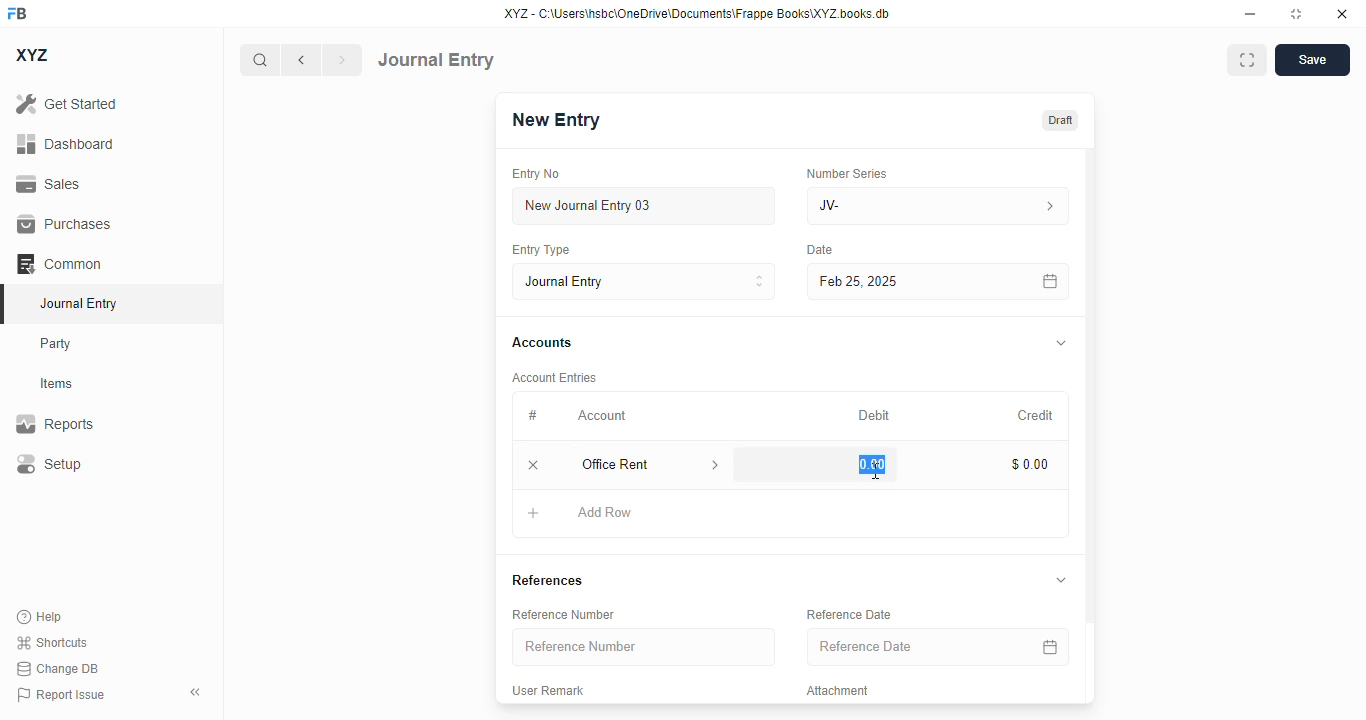 This screenshot has height=720, width=1366. Describe the element at coordinates (643, 646) in the screenshot. I see `reference number` at that location.